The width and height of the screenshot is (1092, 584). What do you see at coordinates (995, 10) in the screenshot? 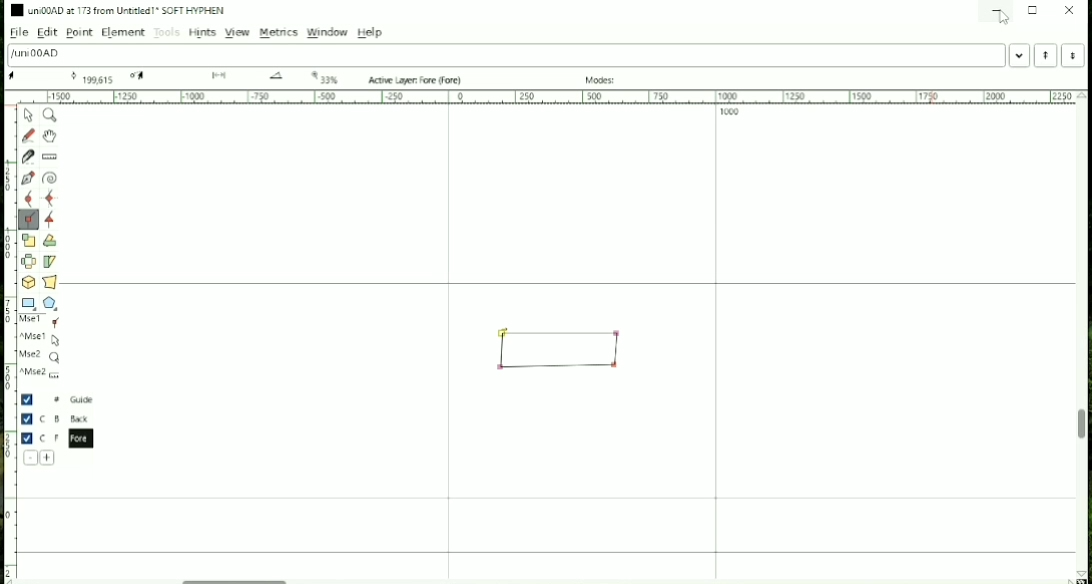
I see `Minimize` at bounding box center [995, 10].